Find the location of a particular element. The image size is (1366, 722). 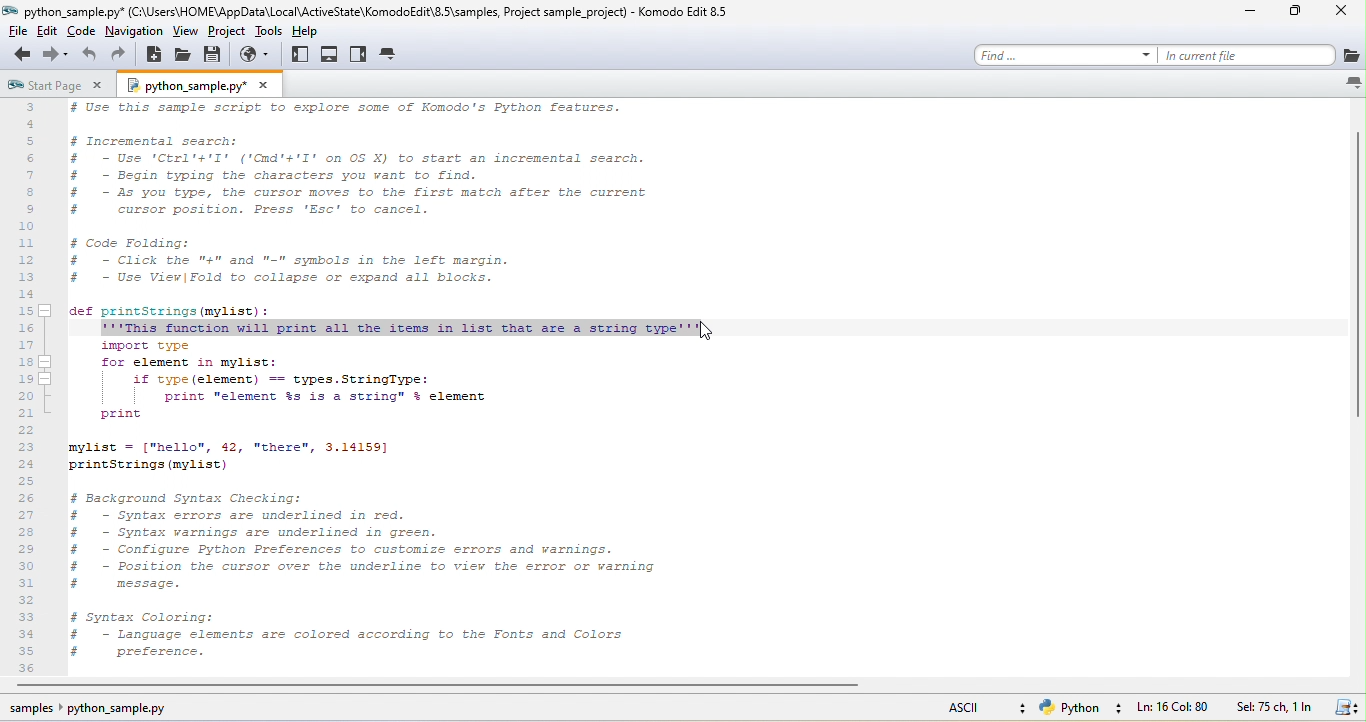

find is located at coordinates (1065, 54).